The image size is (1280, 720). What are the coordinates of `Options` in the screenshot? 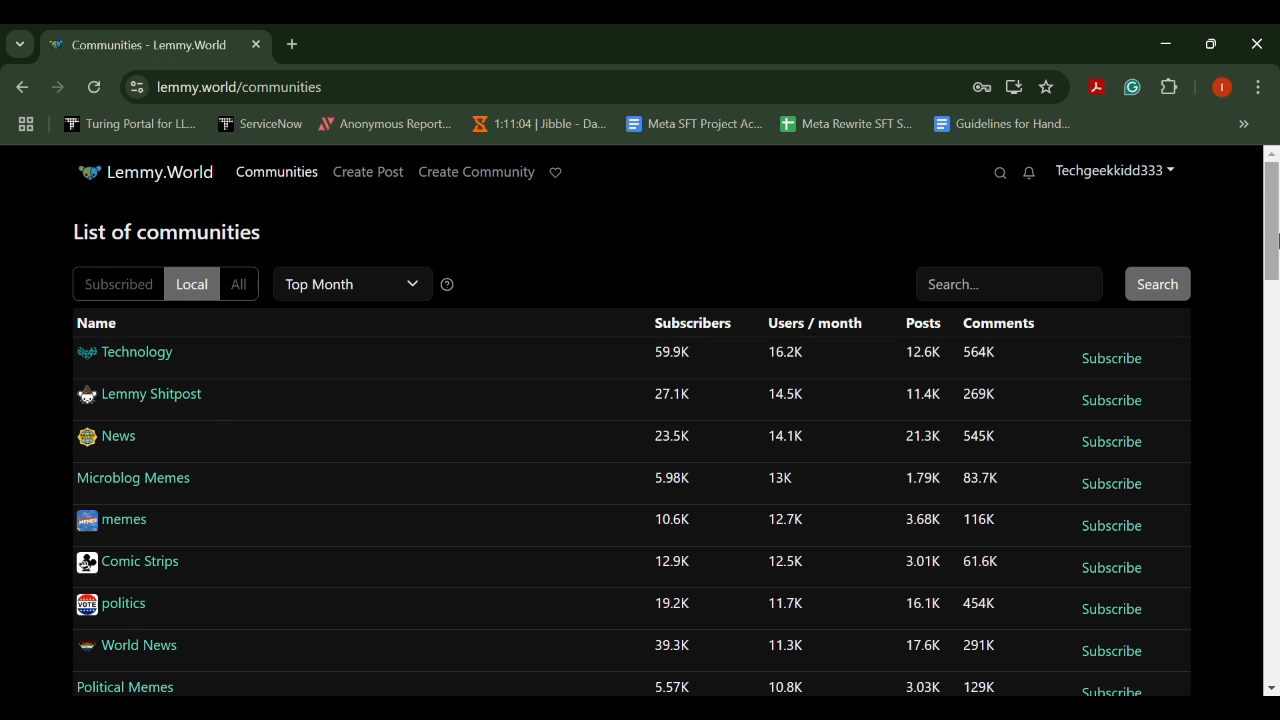 It's located at (1258, 89).